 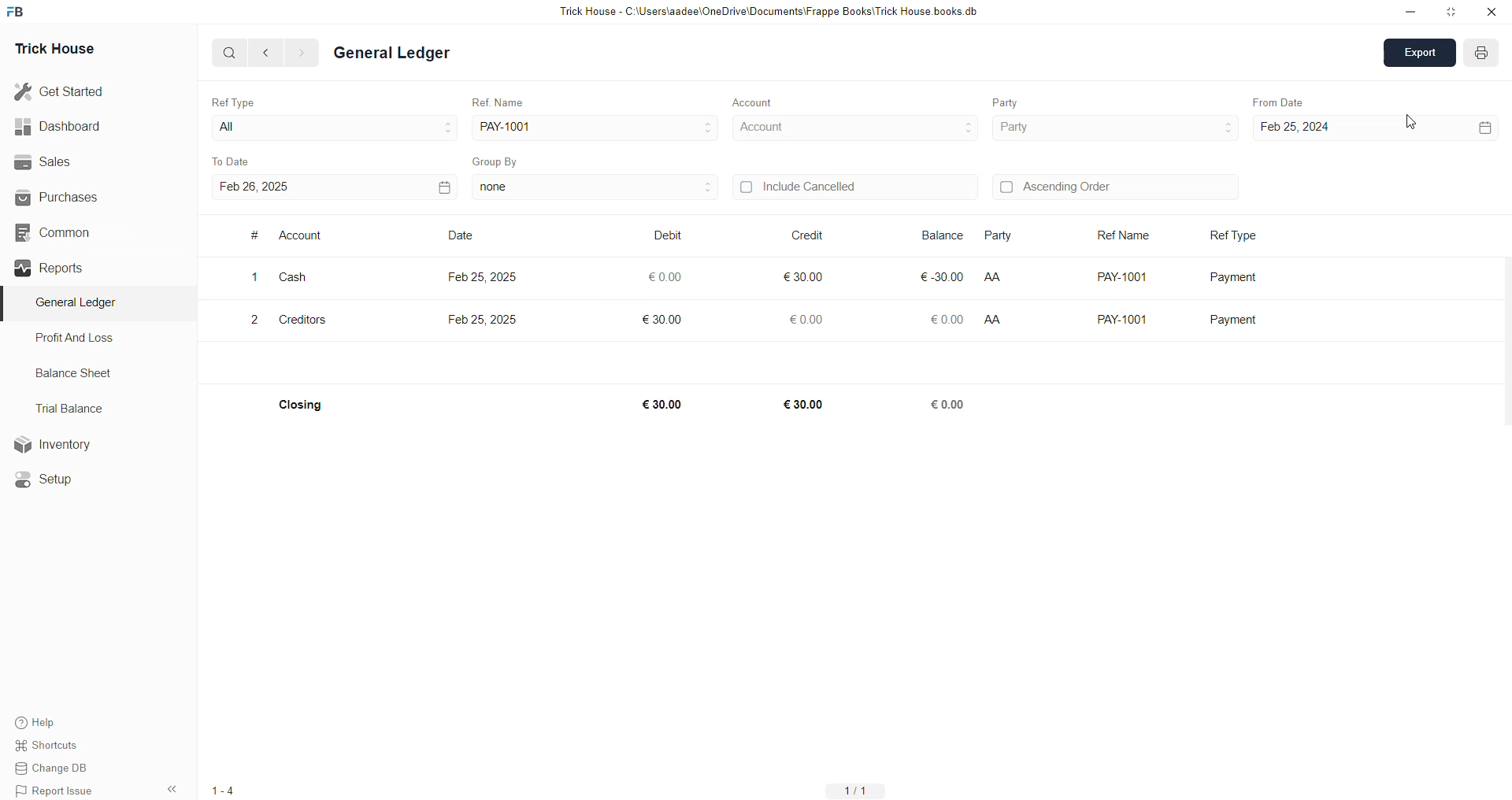 I want to click on 1, so click(x=254, y=276).